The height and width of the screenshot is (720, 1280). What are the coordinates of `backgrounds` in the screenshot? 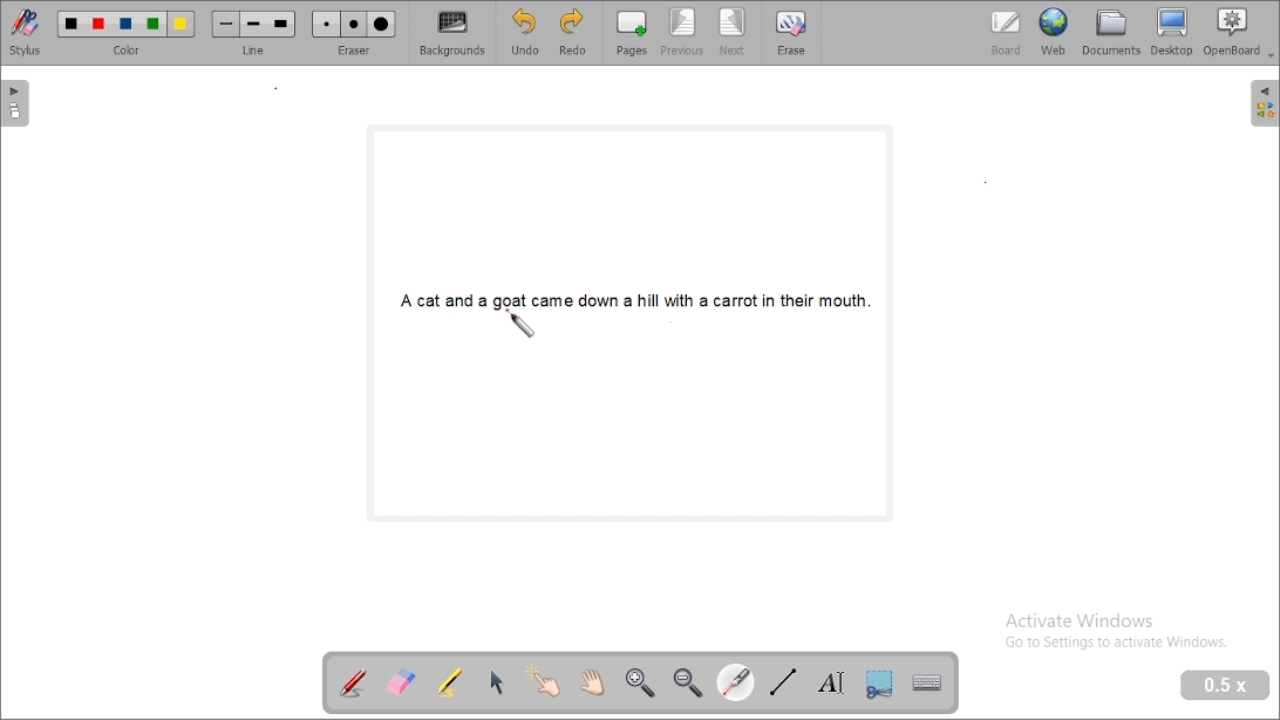 It's located at (454, 33).